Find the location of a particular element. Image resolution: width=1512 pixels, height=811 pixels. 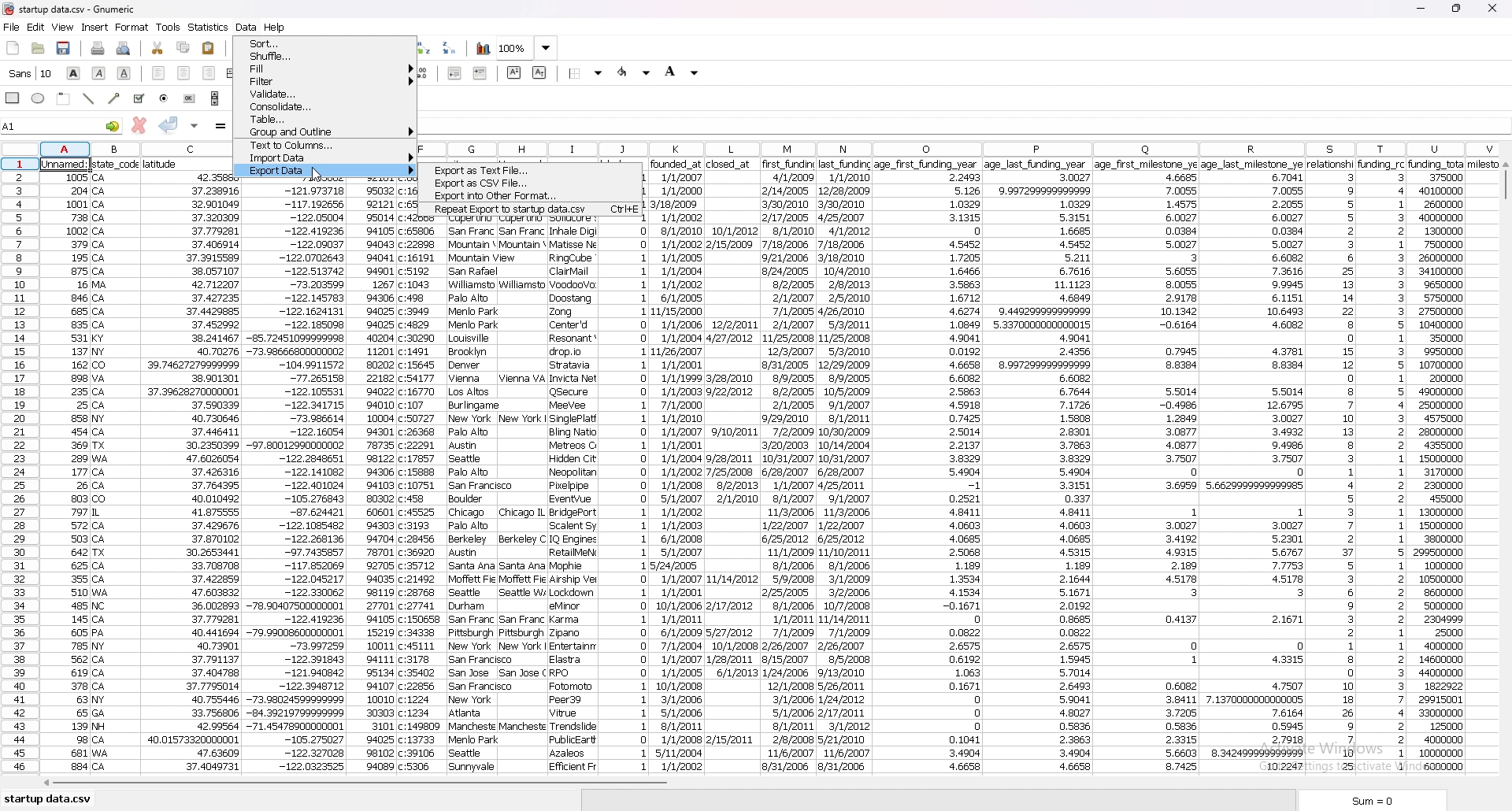

daat is located at coordinates (1147, 467).